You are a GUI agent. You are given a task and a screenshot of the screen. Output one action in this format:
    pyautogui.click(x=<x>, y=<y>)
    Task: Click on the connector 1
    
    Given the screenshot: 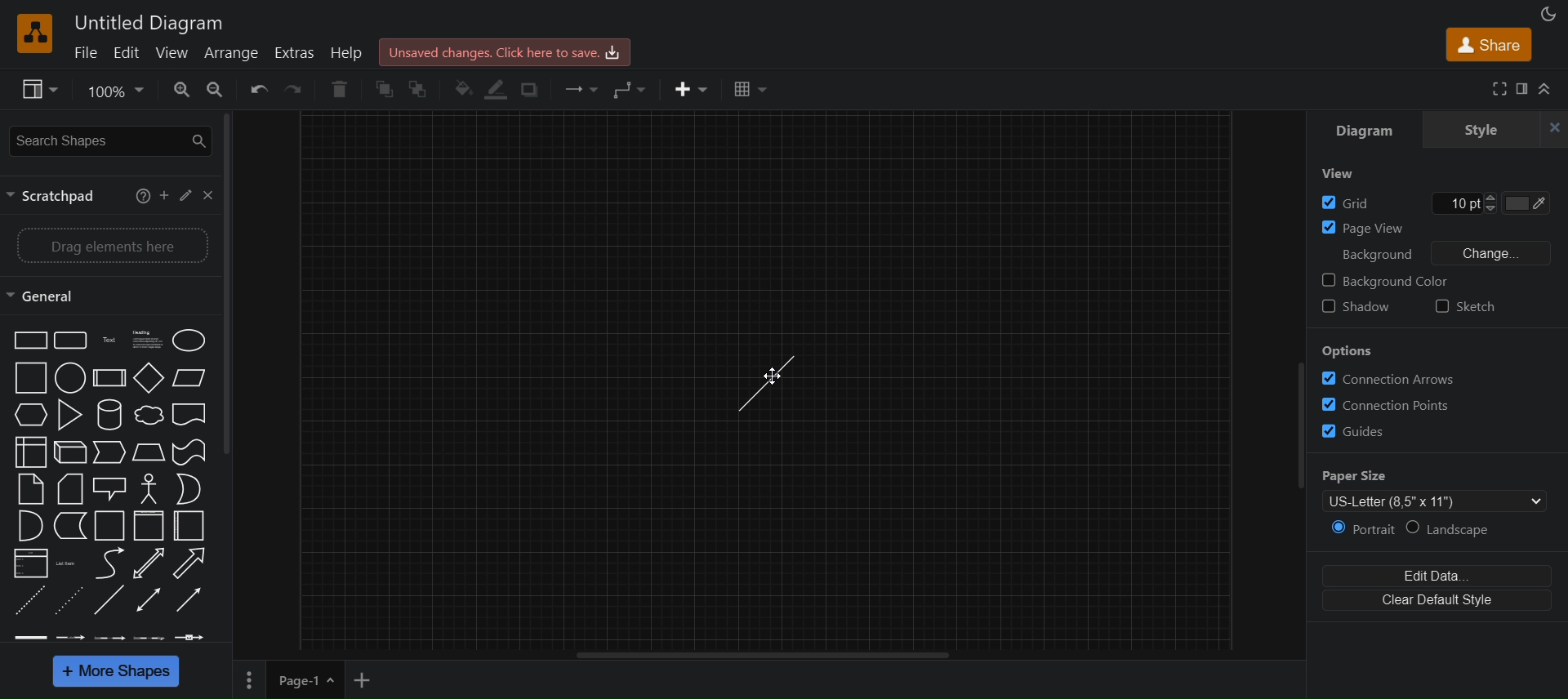 What is the action you would take?
    pyautogui.click(x=29, y=637)
    